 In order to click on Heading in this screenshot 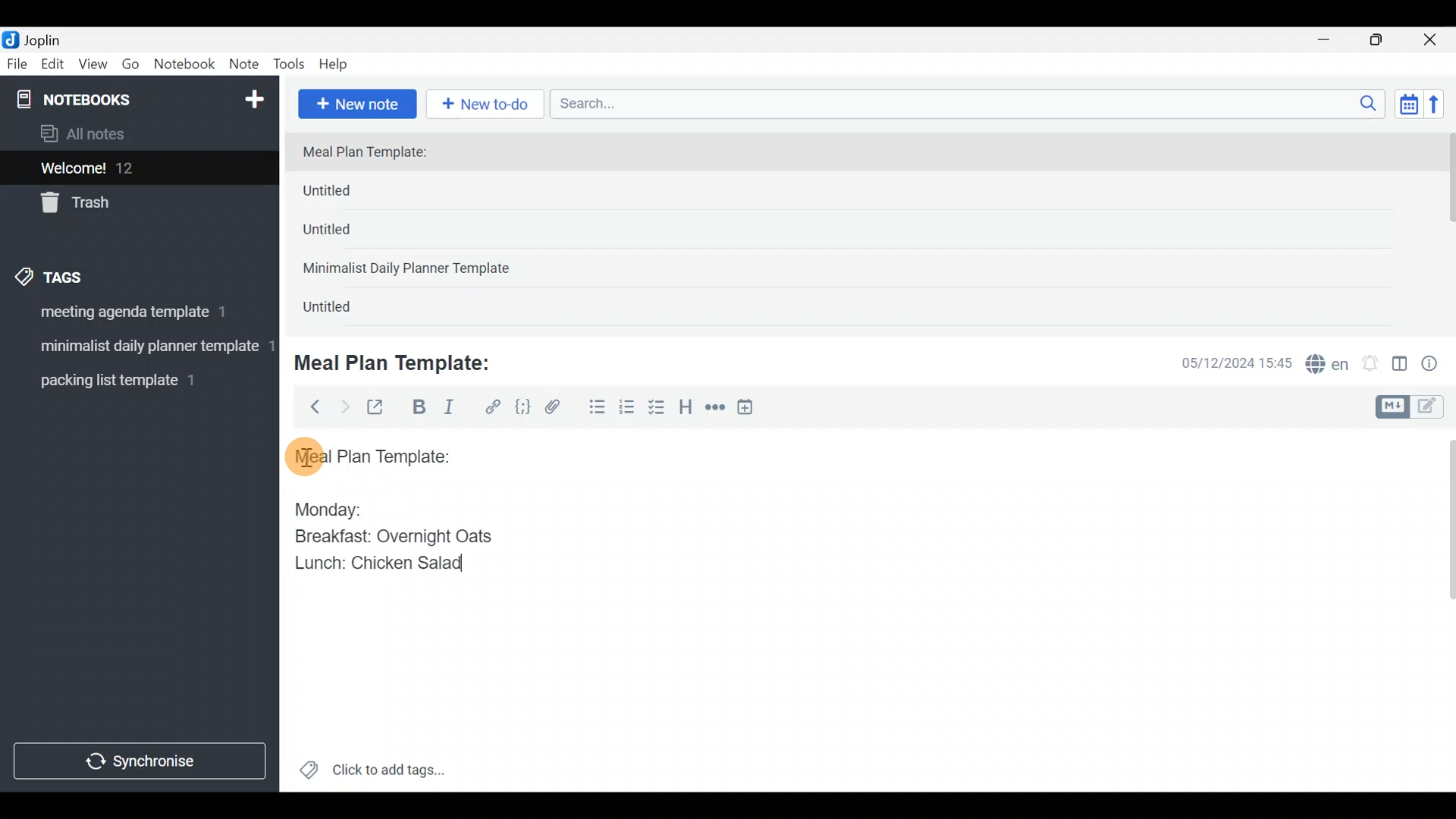, I will do `click(686, 409)`.